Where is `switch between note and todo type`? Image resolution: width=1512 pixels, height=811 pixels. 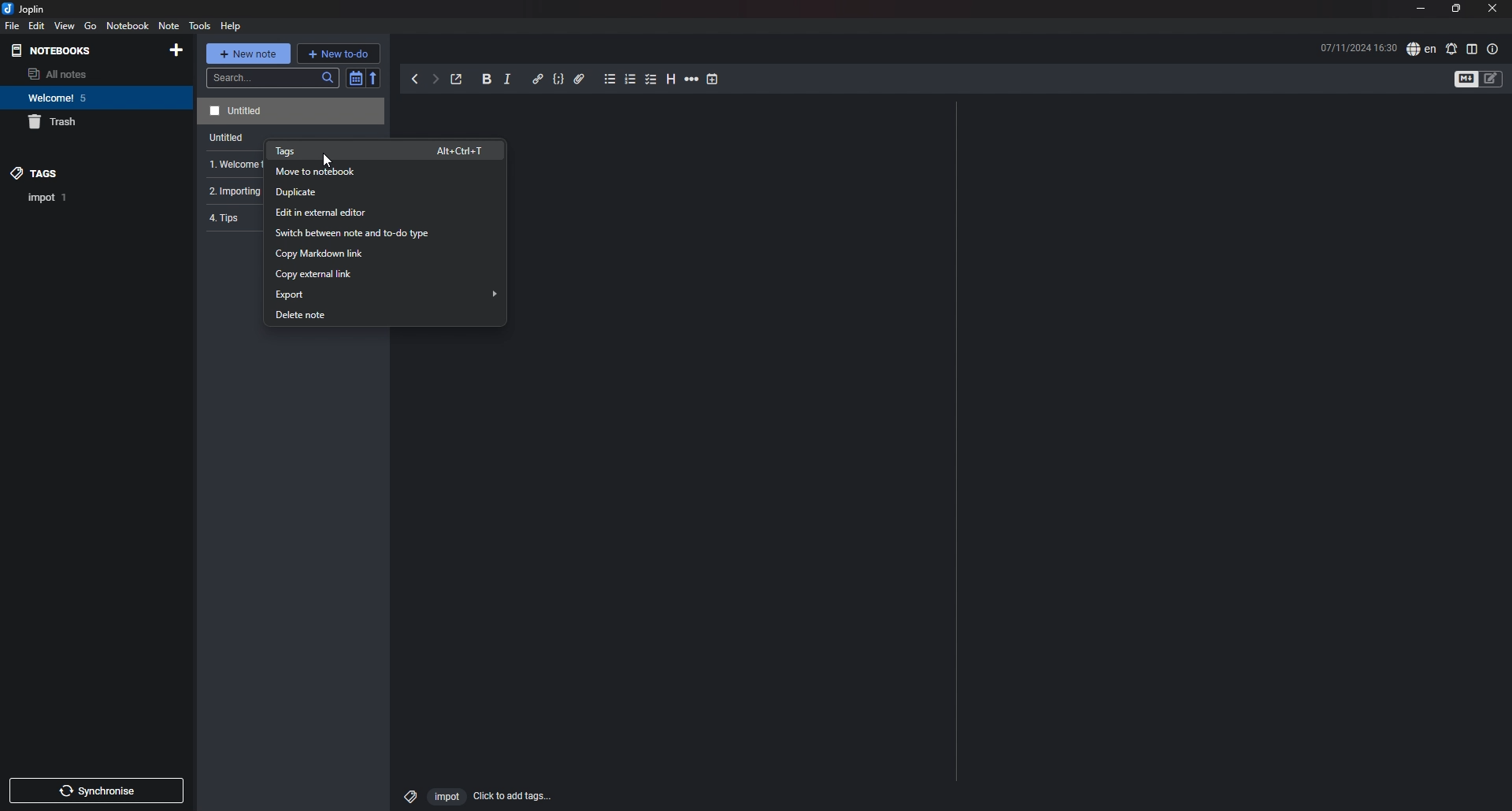 switch between note and todo type is located at coordinates (384, 234).